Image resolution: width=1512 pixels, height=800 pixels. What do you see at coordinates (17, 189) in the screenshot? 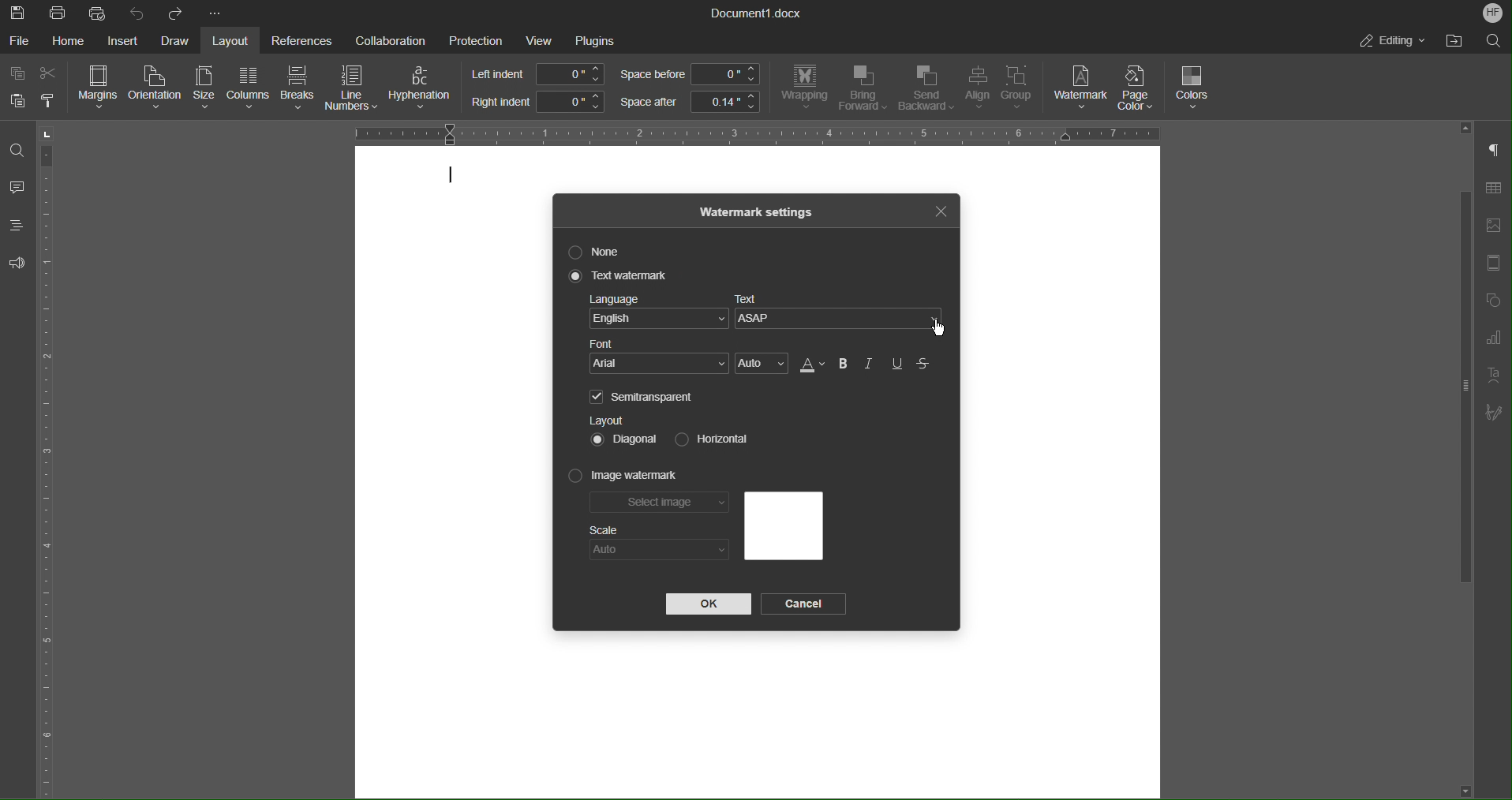
I see `Comment` at bounding box center [17, 189].